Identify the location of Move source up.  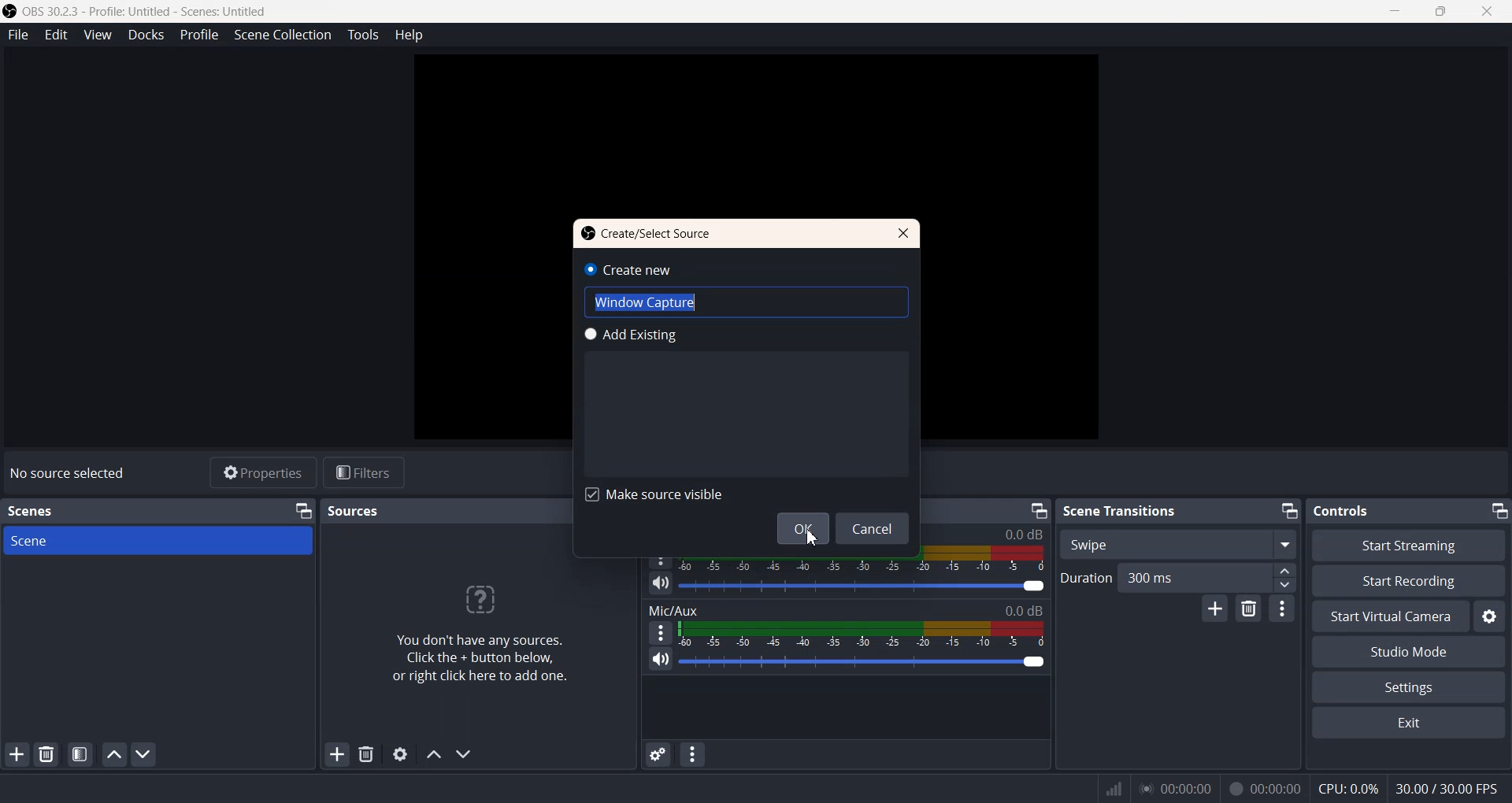
(434, 754).